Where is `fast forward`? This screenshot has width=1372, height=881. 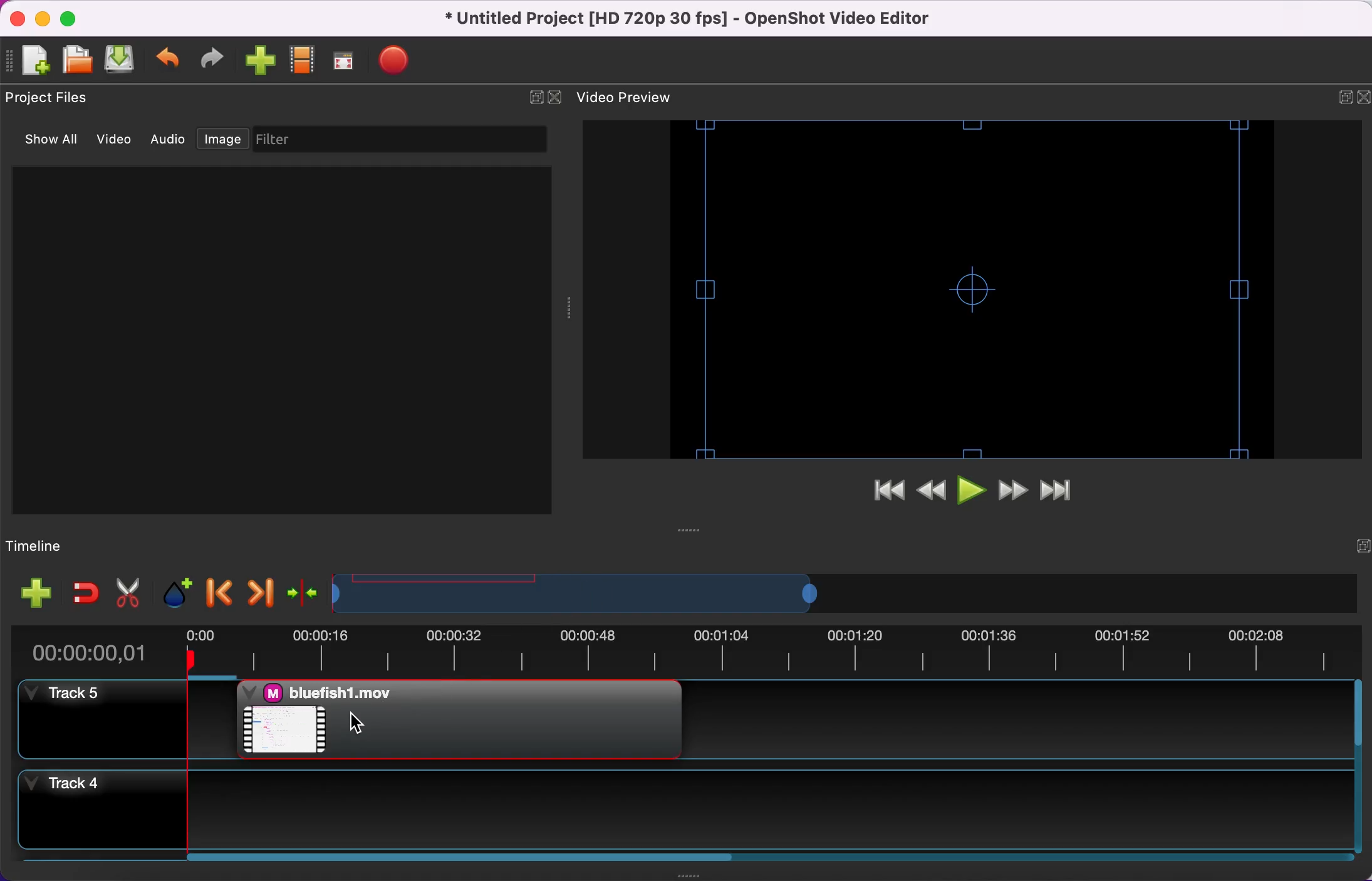
fast forward is located at coordinates (1014, 491).